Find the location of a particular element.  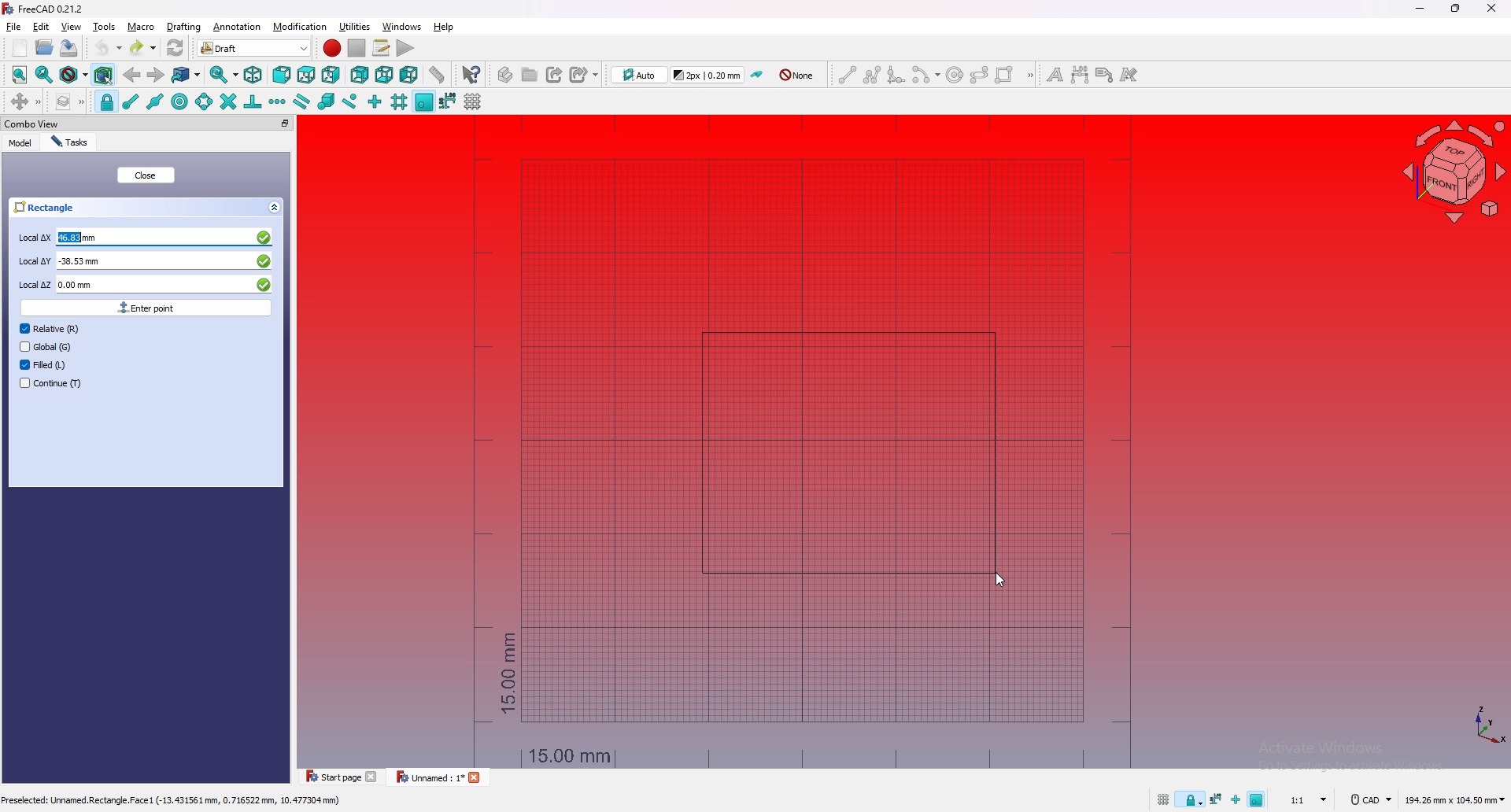

change working plane is located at coordinates (639, 74).